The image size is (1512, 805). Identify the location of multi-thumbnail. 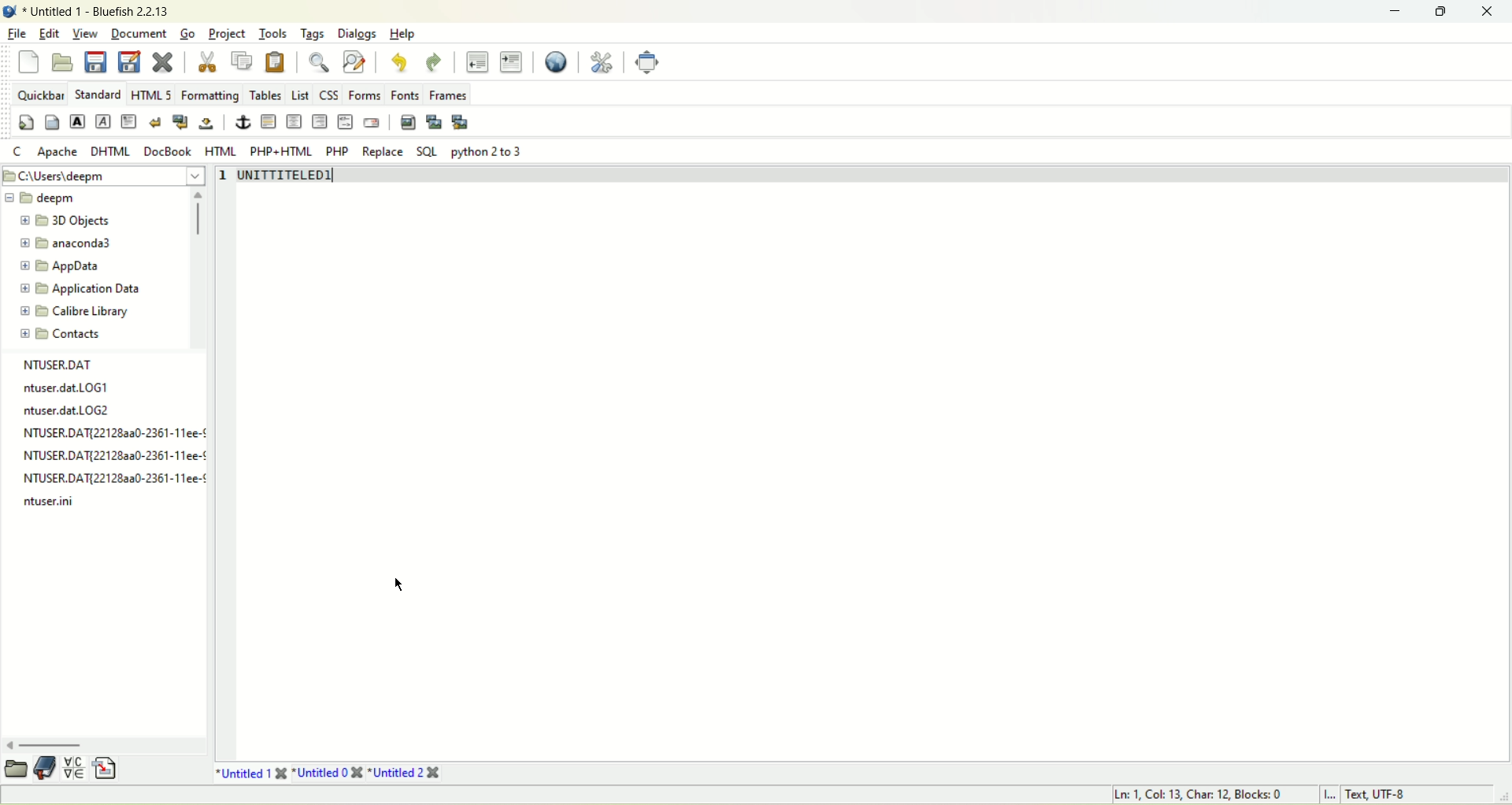
(461, 121).